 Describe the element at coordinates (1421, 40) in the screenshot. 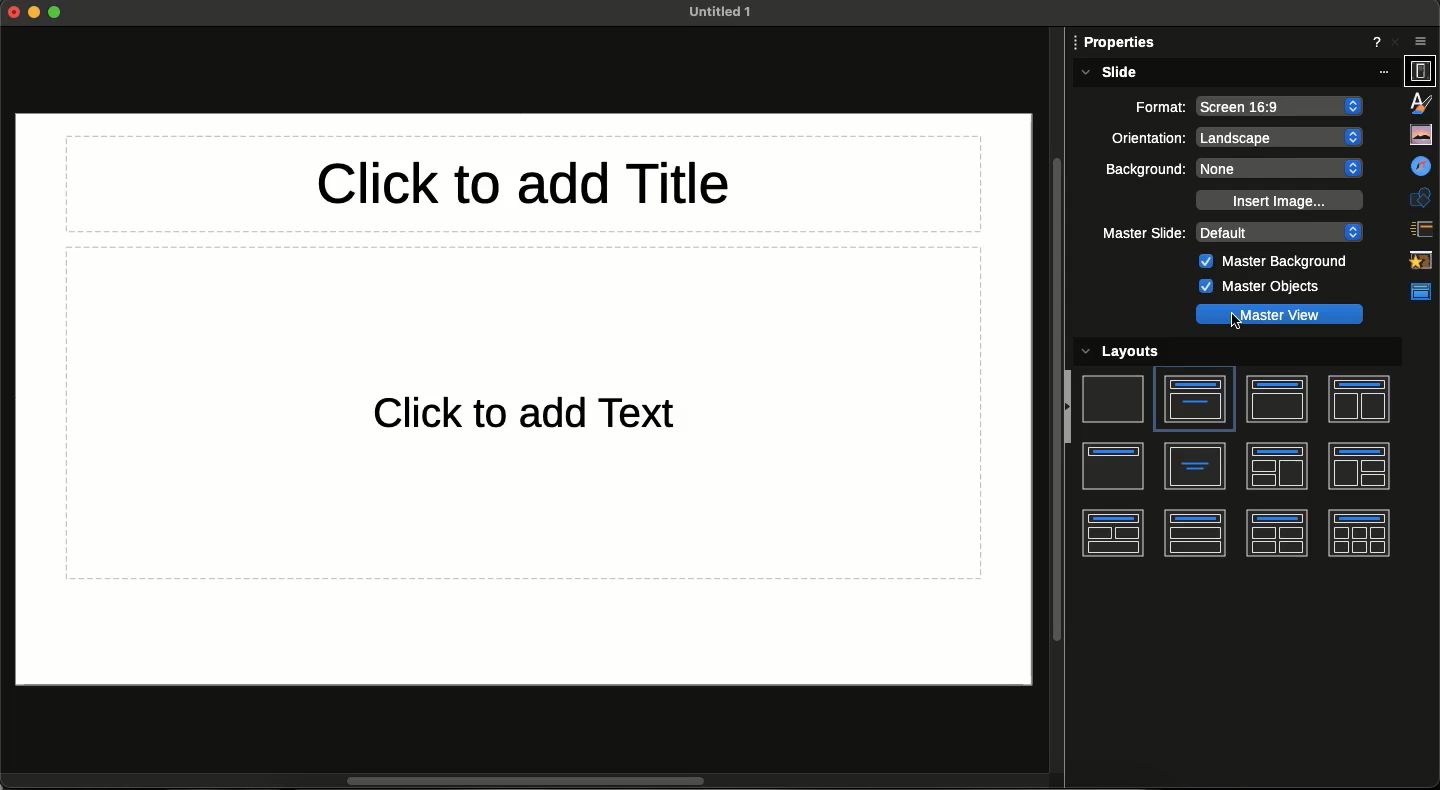

I see `Options` at that location.